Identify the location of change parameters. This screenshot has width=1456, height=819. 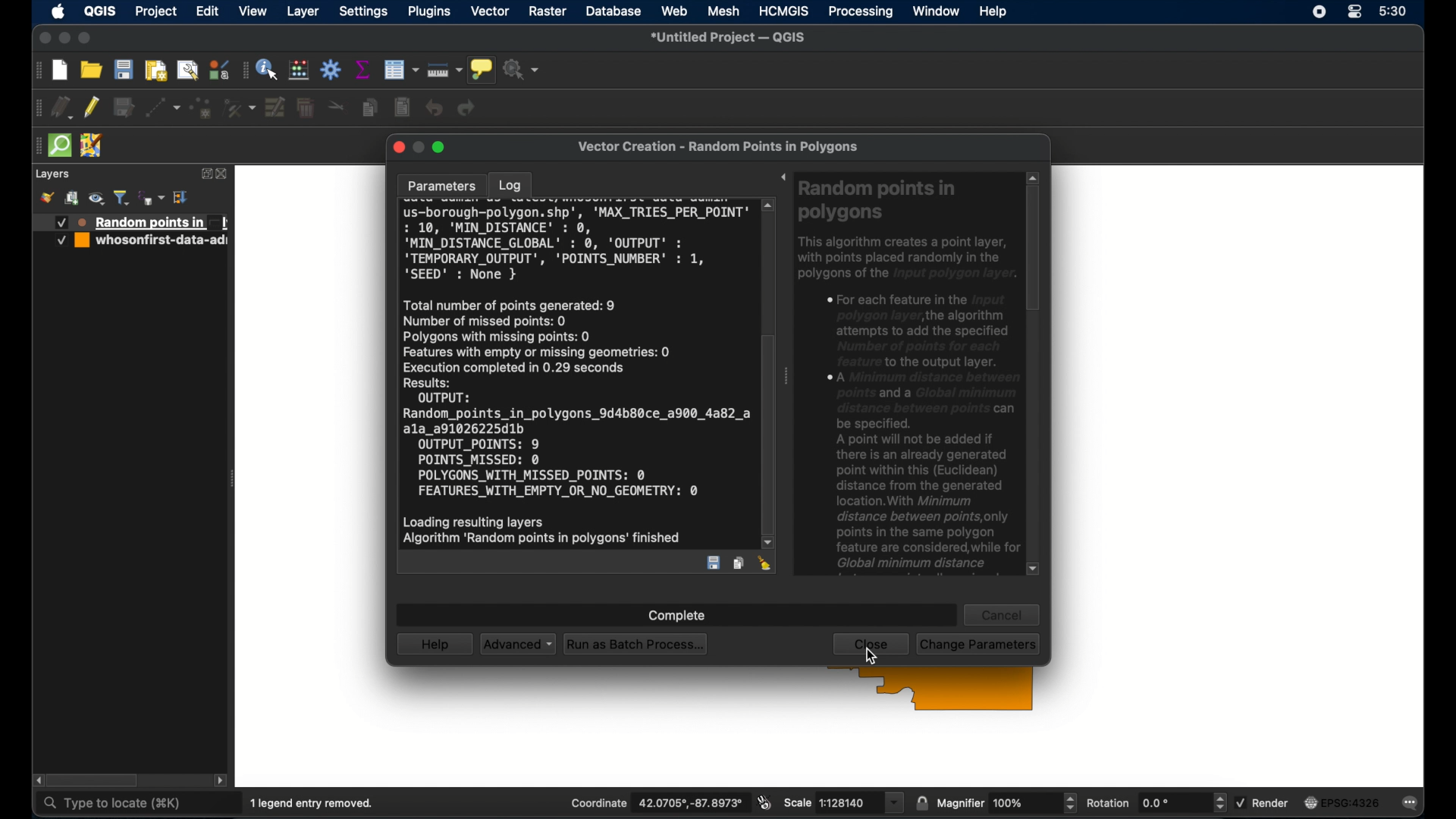
(978, 644).